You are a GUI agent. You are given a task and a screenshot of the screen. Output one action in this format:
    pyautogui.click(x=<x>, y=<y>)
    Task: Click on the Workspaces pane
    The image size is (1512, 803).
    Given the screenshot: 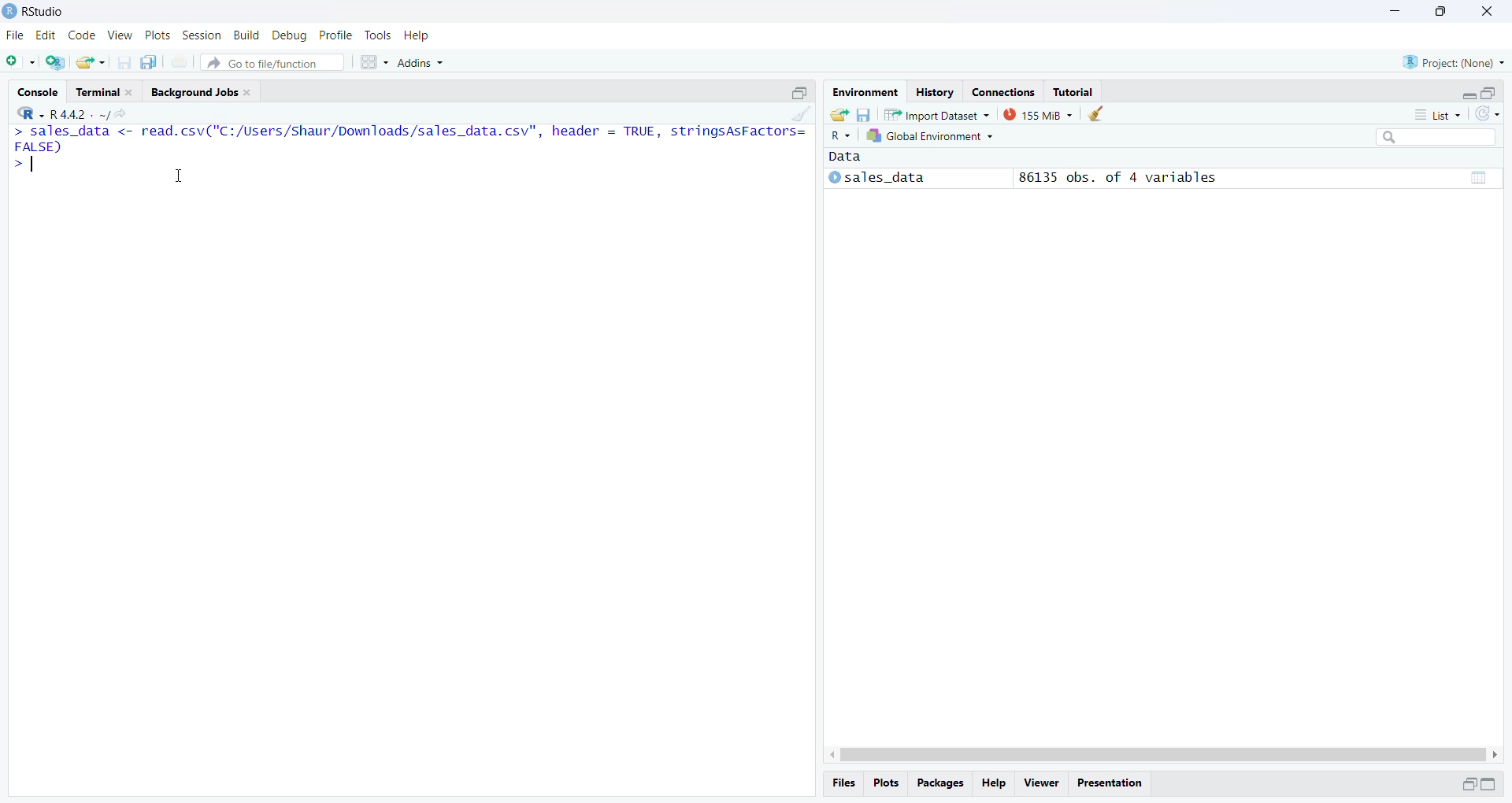 What is the action you would take?
    pyautogui.click(x=375, y=61)
    